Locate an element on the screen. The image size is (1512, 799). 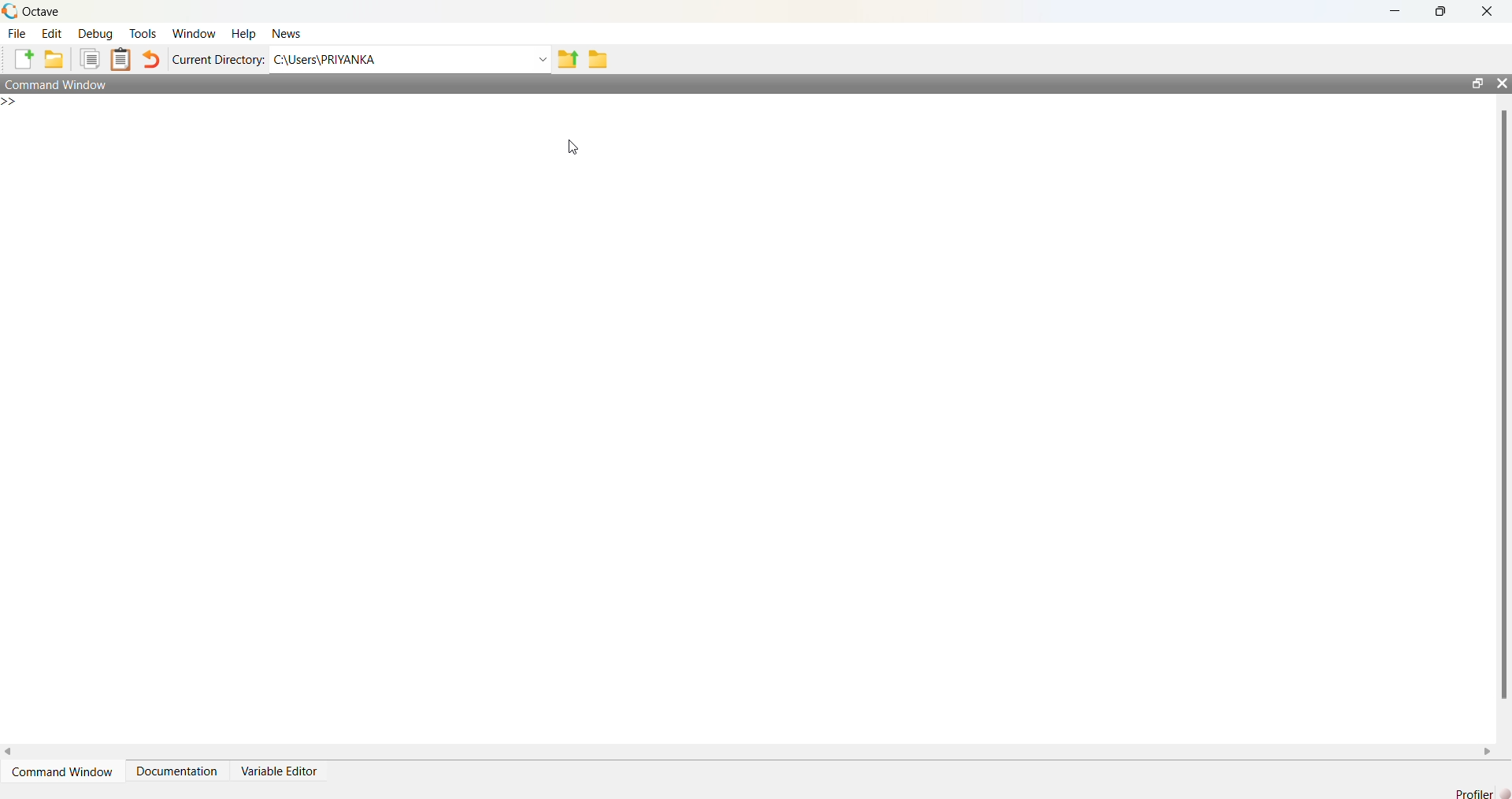
New line is located at coordinates (9, 102).